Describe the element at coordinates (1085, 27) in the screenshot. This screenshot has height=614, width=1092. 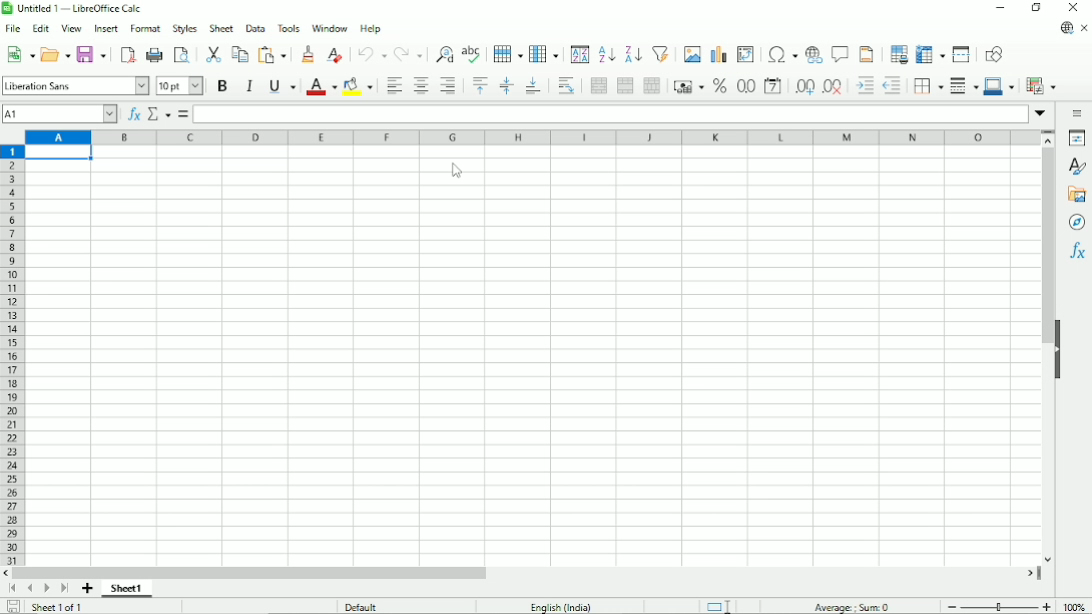
I see `Close document` at that location.